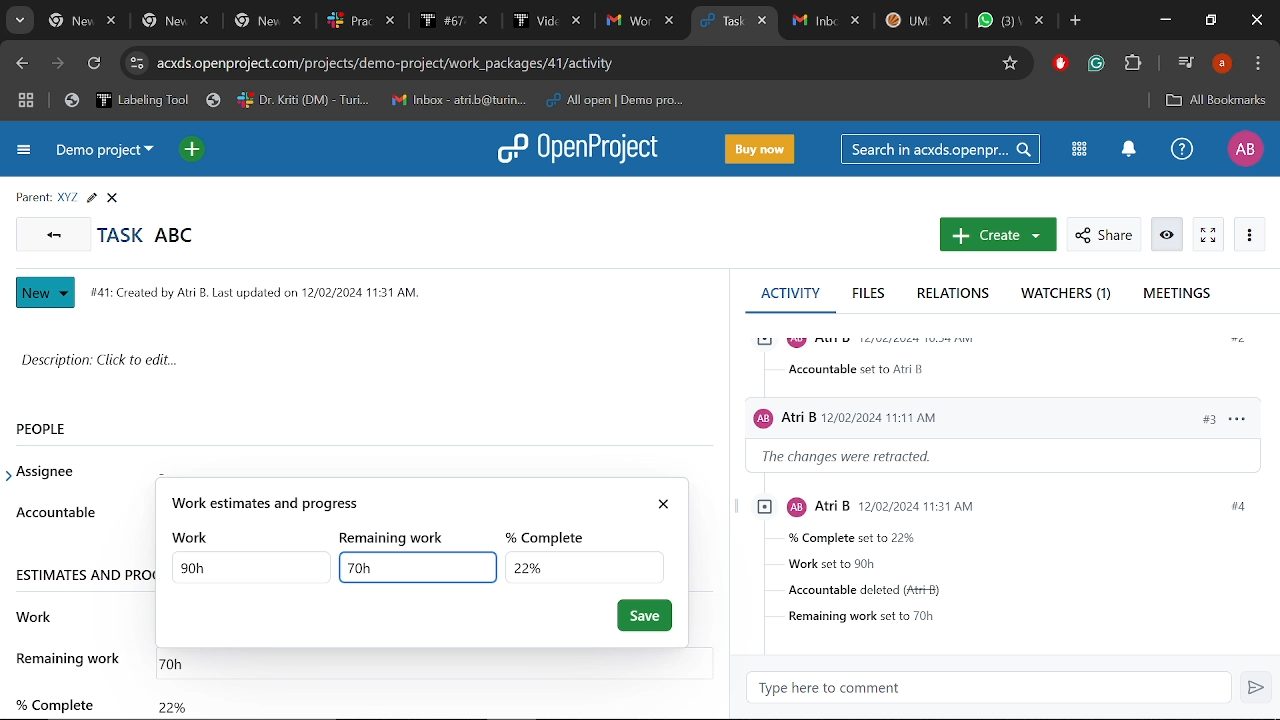 Image resolution: width=1280 pixels, height=720 pixels. I want to click on Go back to all tasks, so click(54, 235).